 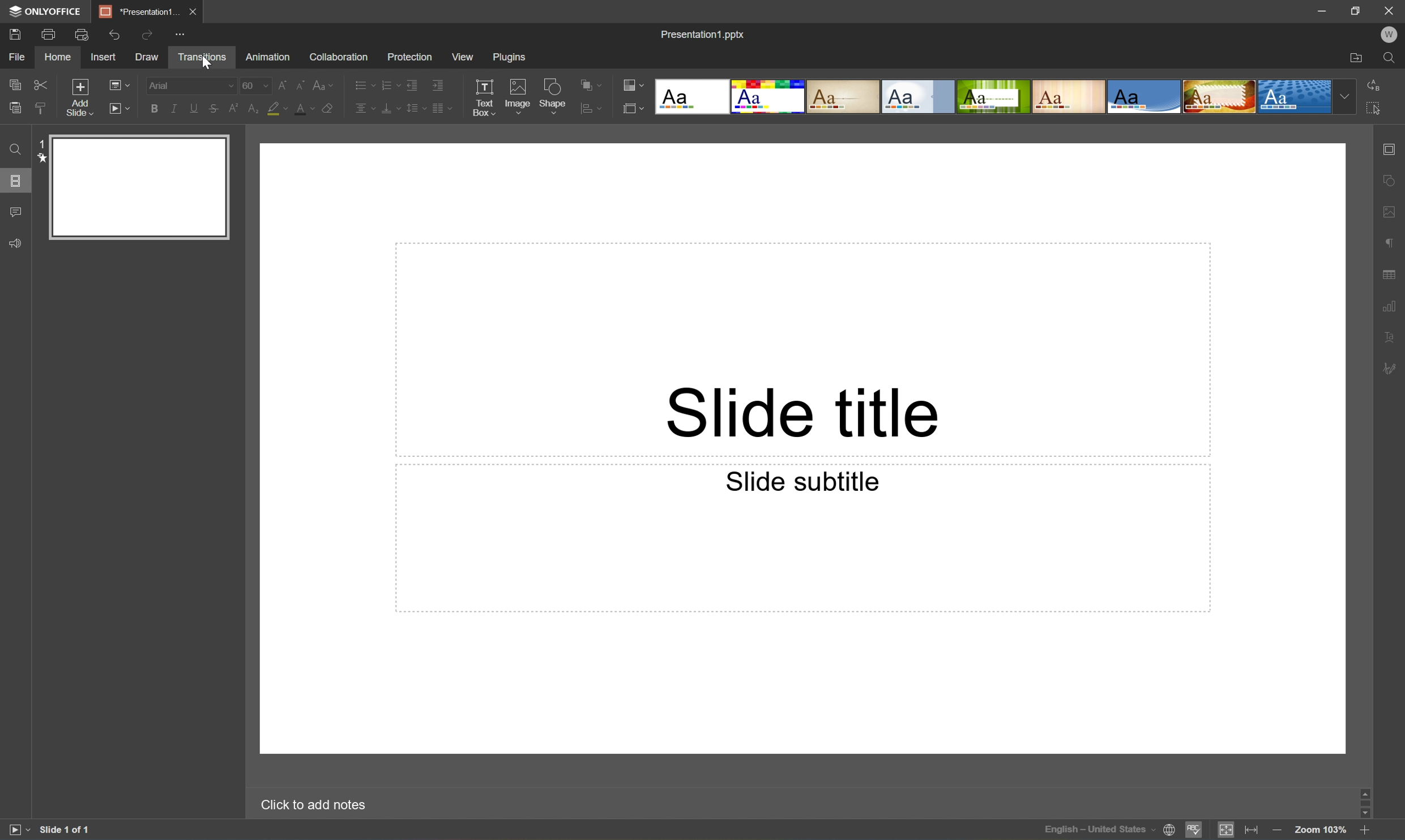 What do you see at coordinates (338, 57) in the screenshot?
I see `Collaboration` at bounding box center [338, 57].